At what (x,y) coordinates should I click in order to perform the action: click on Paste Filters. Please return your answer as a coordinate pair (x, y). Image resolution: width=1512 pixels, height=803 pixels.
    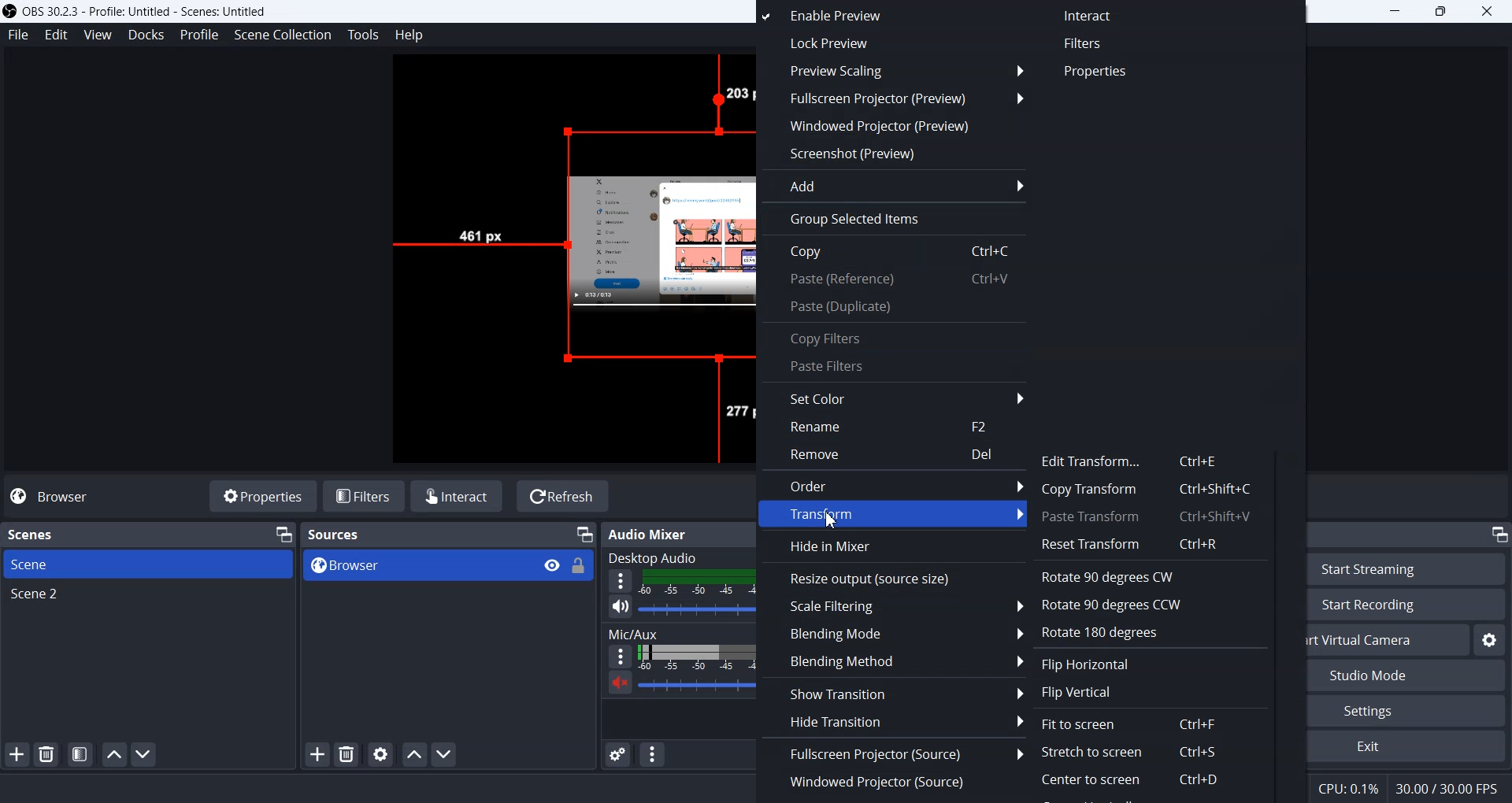
    Looking at the image, I should click on (895, 365).